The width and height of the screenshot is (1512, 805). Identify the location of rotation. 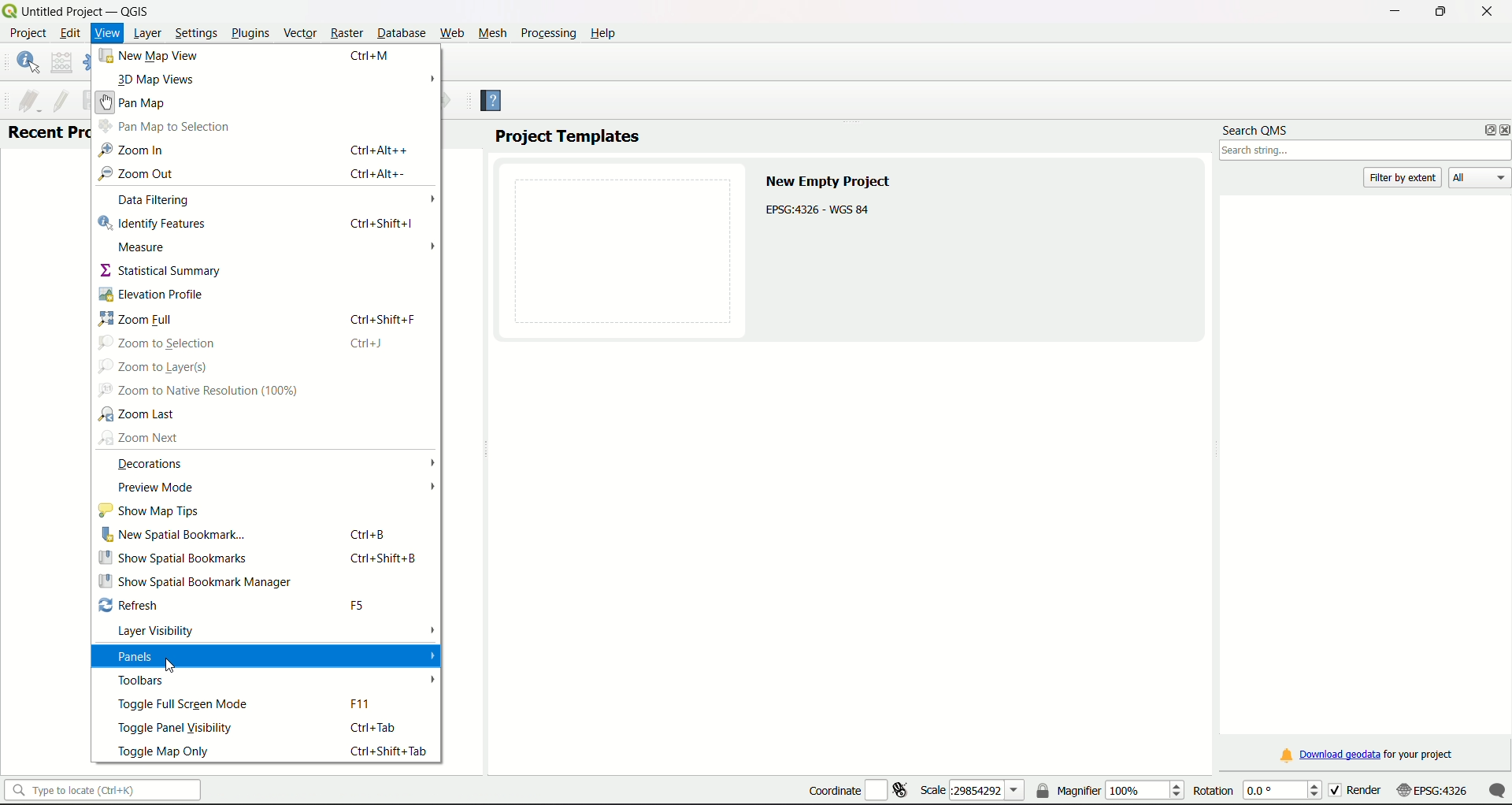
(1259, 790).